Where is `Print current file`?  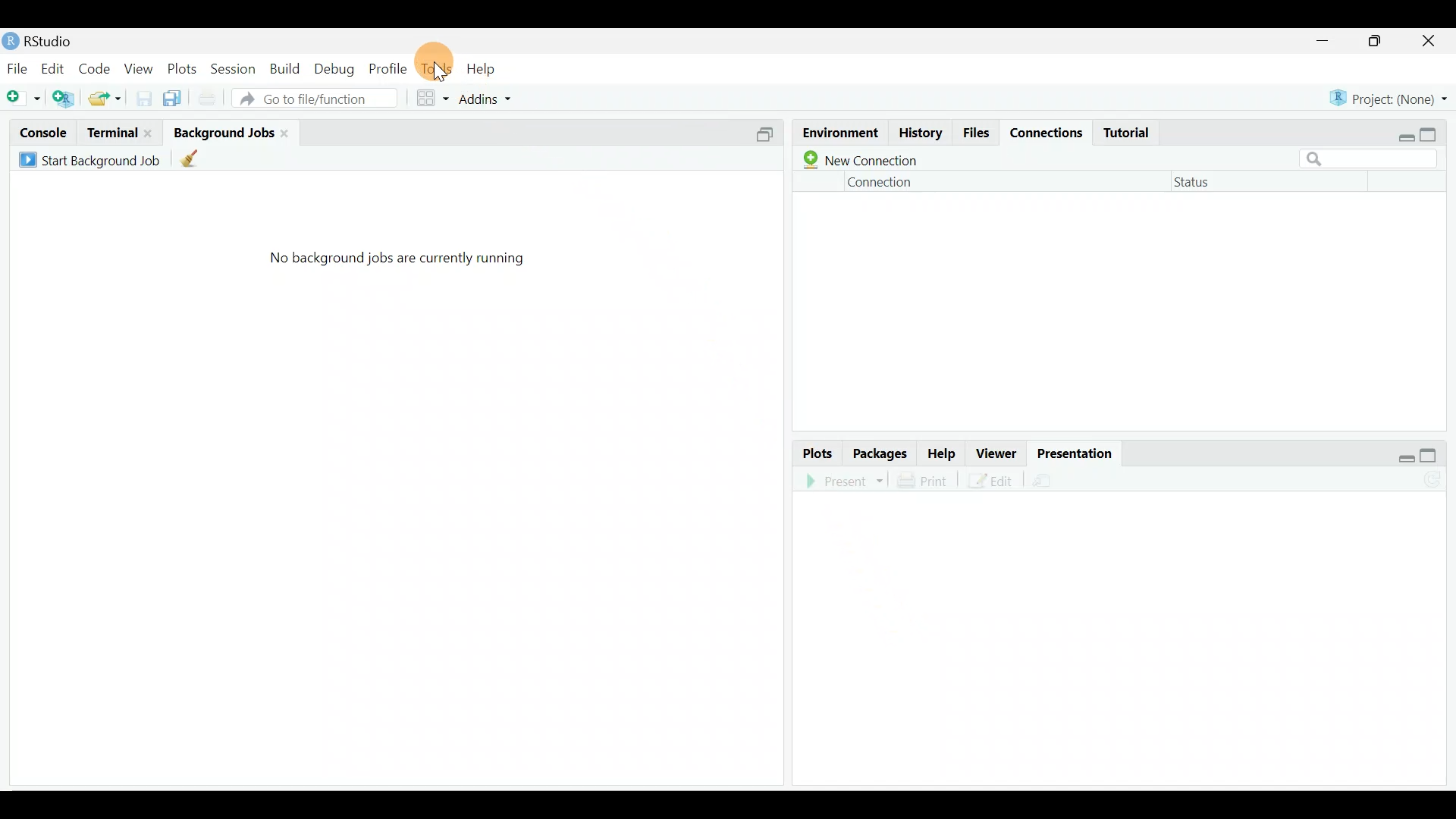
Print current file is located at coordinates (209, 99).